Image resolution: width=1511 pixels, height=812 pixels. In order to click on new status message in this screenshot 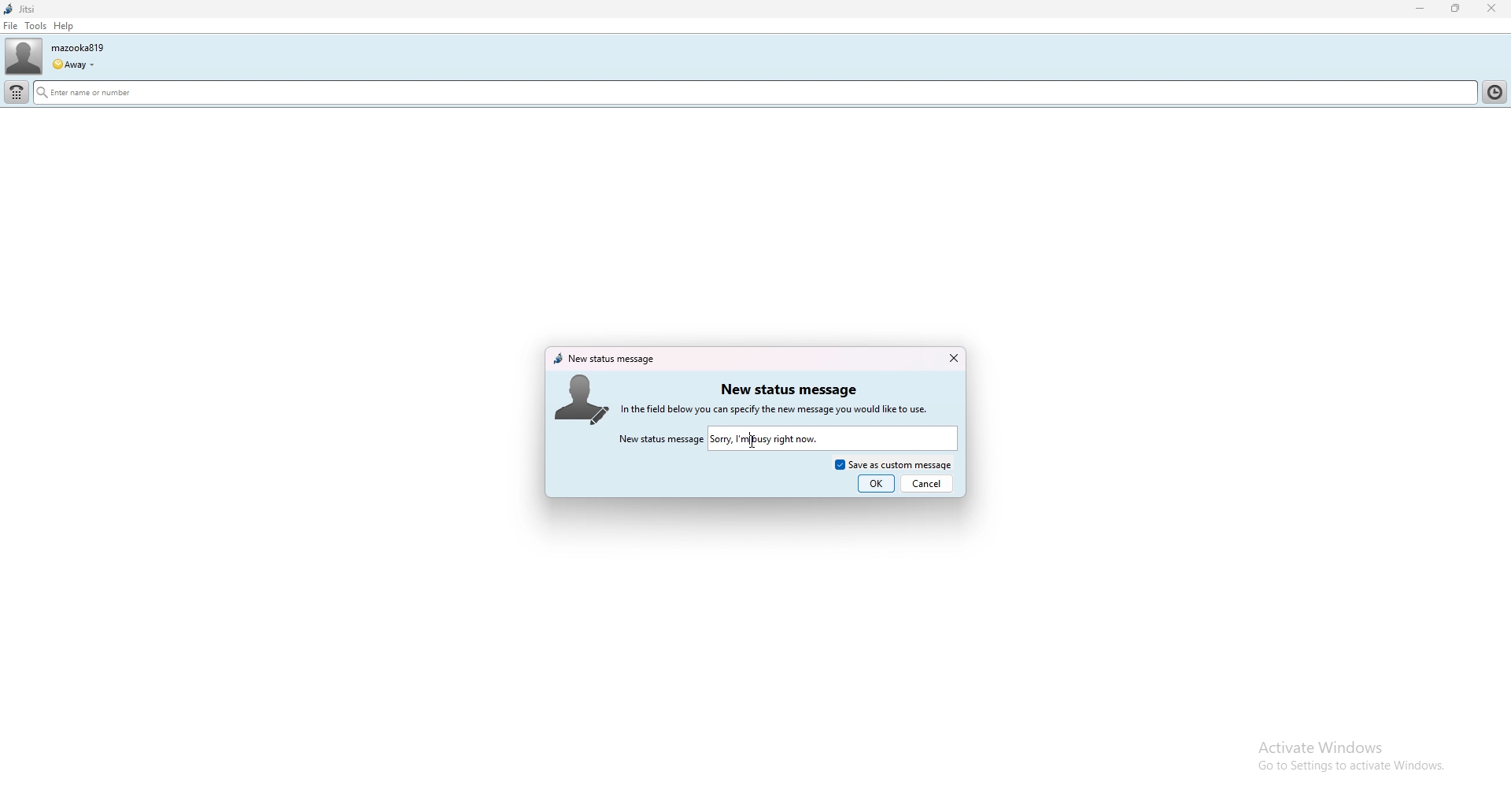, I will do `click(788, 389)`.